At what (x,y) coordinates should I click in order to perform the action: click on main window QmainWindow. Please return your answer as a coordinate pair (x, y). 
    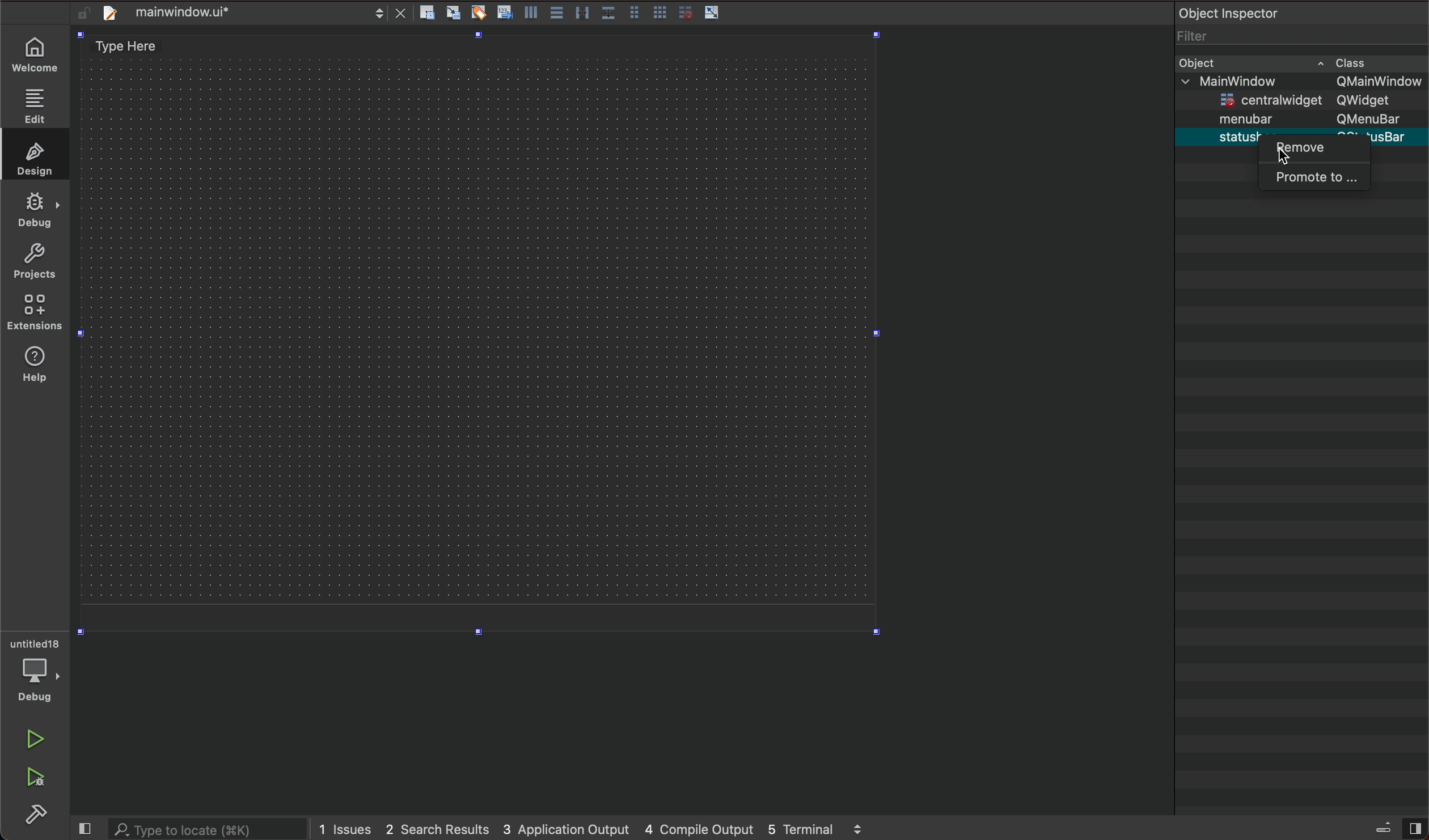
    Looking at the image, I should click on (1299, 84).